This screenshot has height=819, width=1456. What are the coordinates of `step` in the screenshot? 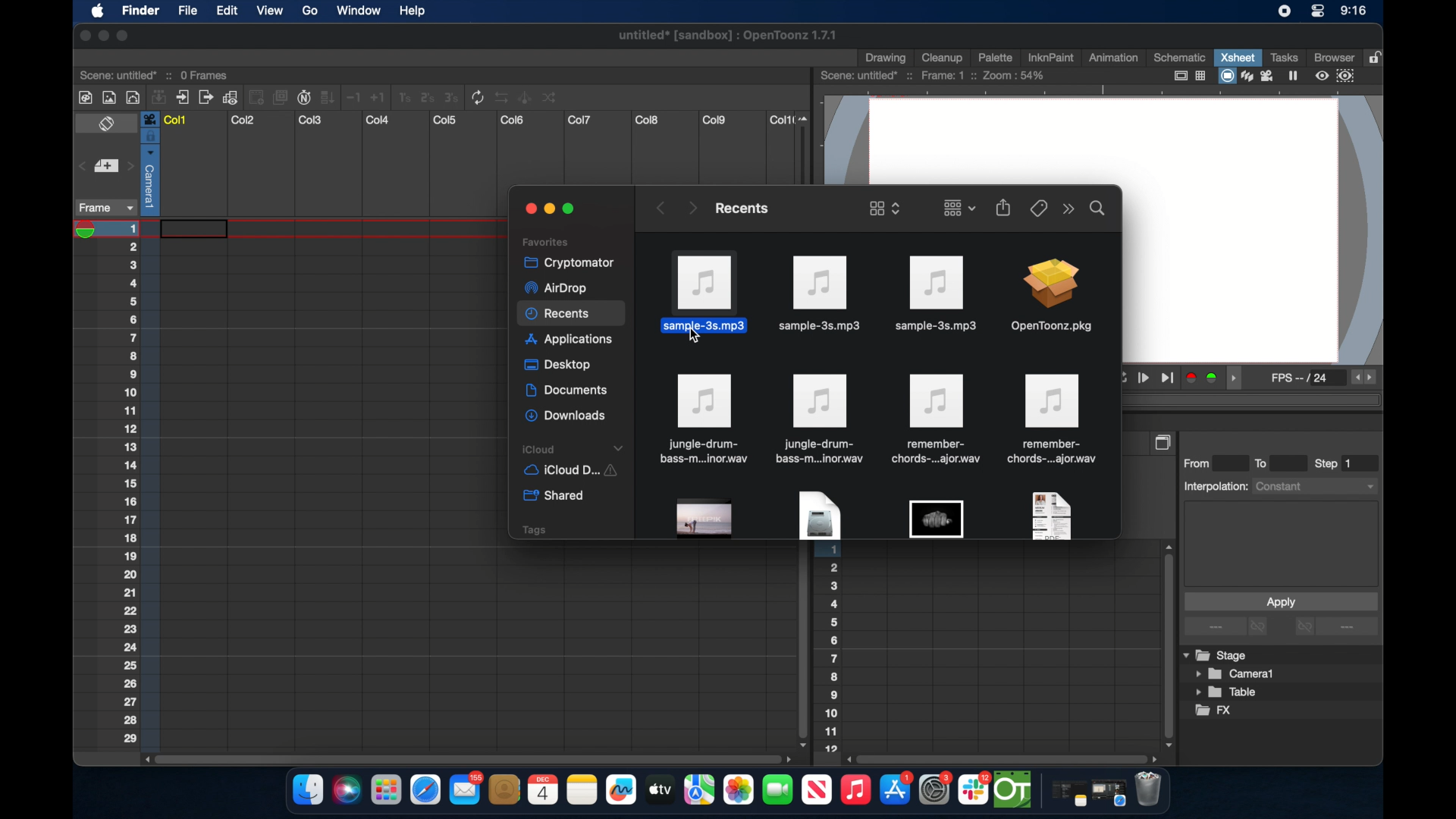 It's located at (1335, 463).